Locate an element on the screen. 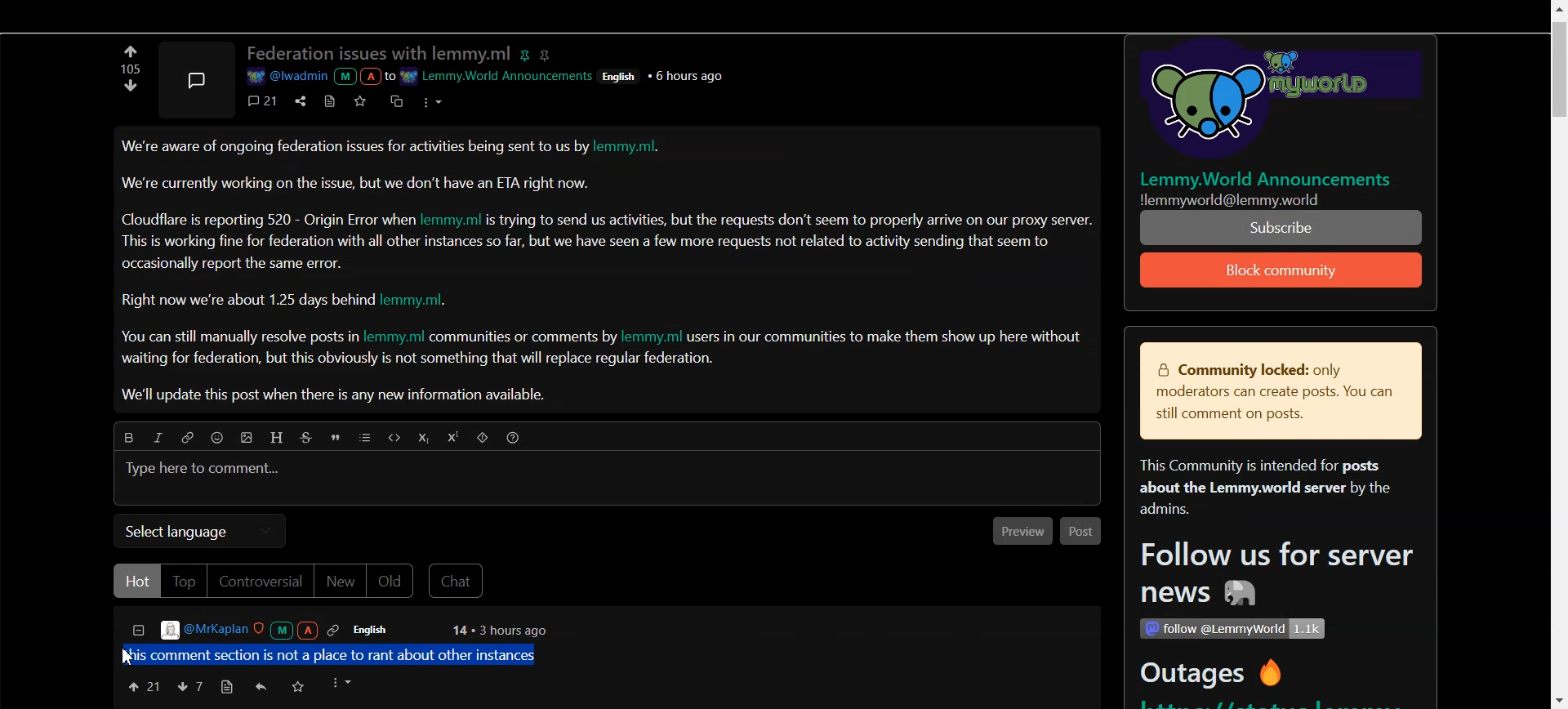 Image resolution: width=1568 pixels, height=709 pixels. This is working fine for federation with all other instances so far, but we have seen a few more requests not related to activity sending that seem to
occasionally report the same error. is located at coordinates (587, 252).